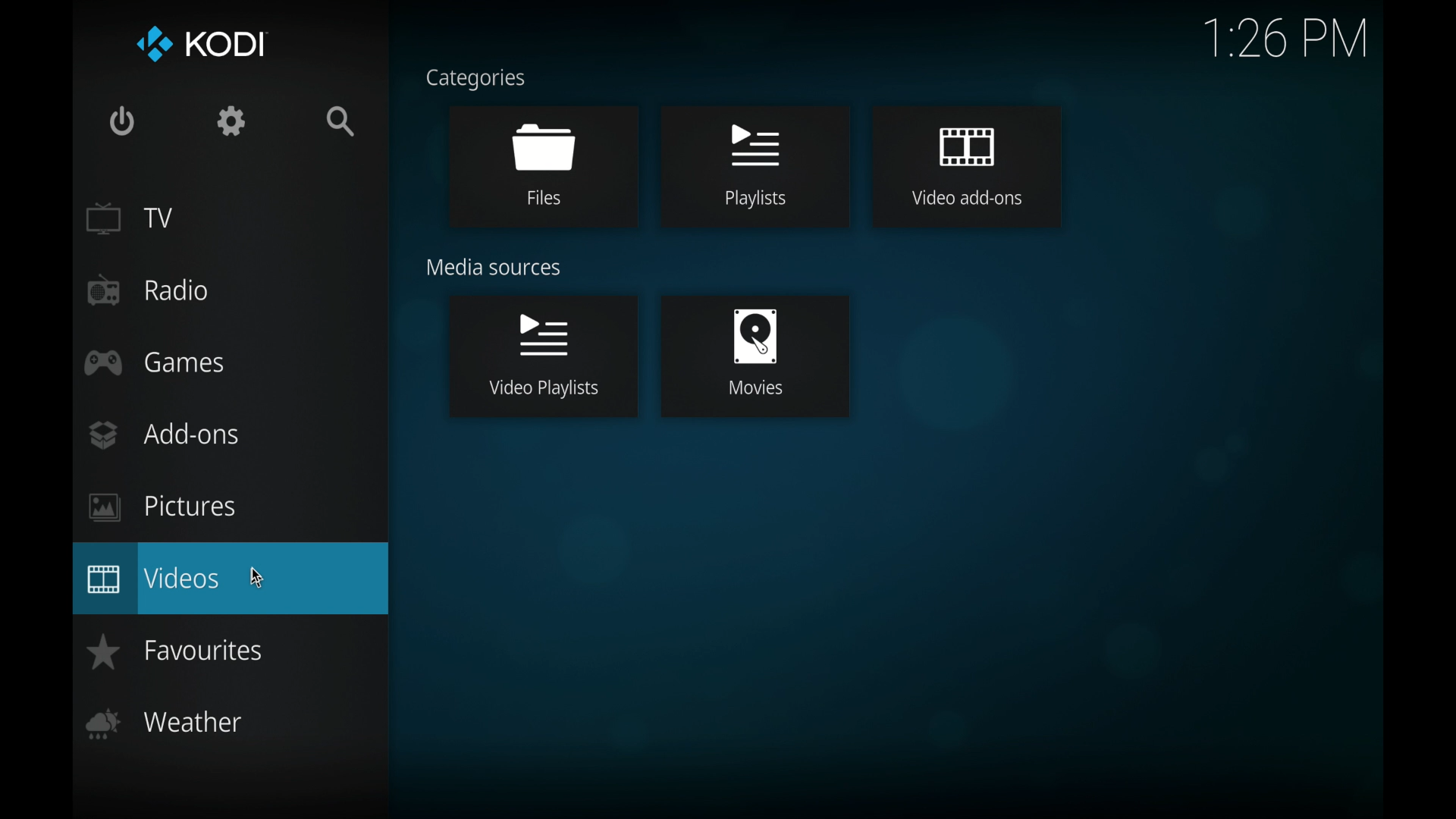  Describe the element at coordinates (1285, 39) in the screenshot. I see `time` at that location.